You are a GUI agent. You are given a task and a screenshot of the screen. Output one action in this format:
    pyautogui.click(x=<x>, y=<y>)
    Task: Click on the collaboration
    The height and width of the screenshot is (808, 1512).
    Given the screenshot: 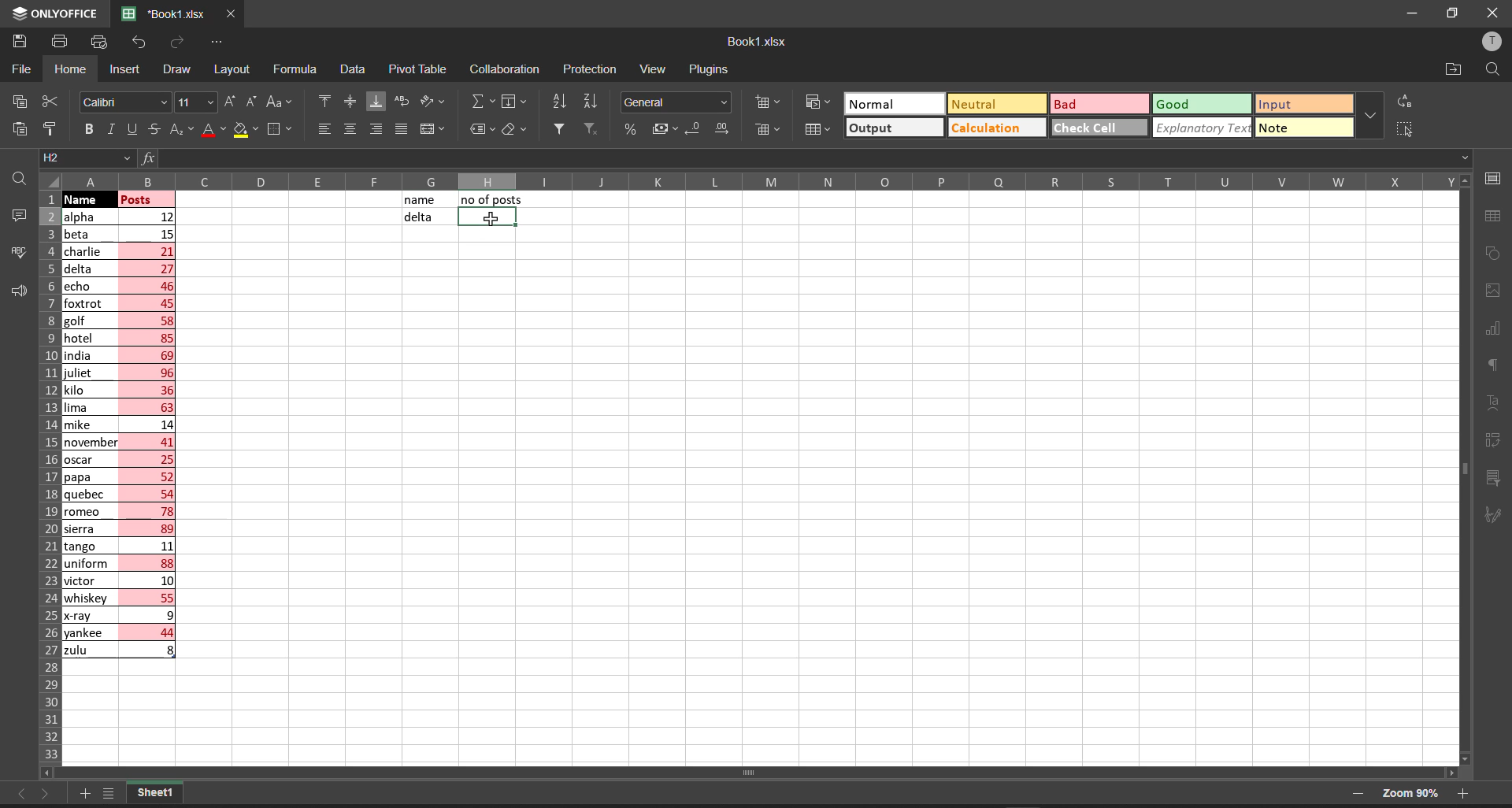 What is the action you would take?
    pyautogui.click(x=507, y=69)
    